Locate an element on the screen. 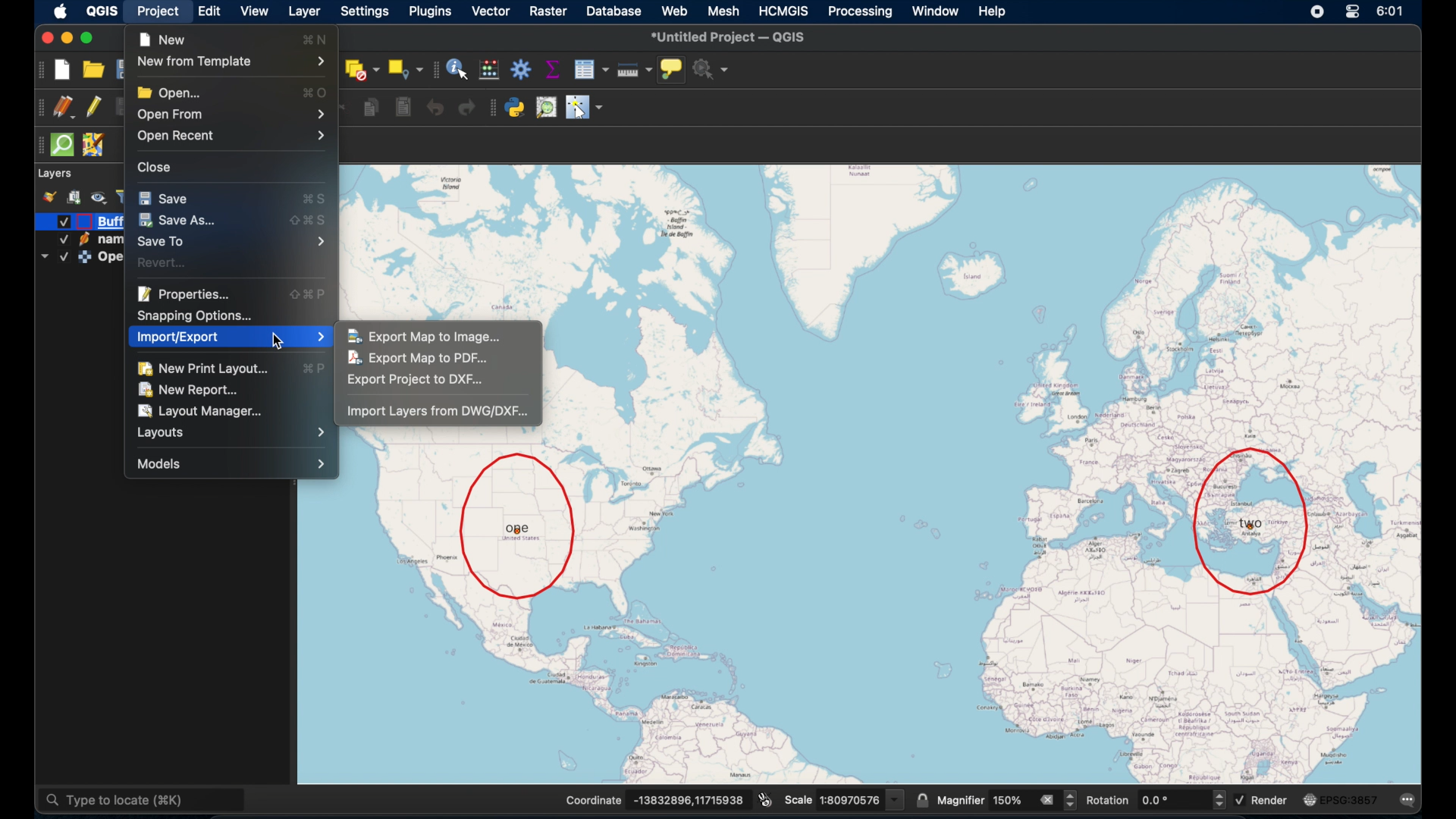 Image resolution: width=1456 pixels, height=819 pixels. mesh is located at coordinates (725, 10).